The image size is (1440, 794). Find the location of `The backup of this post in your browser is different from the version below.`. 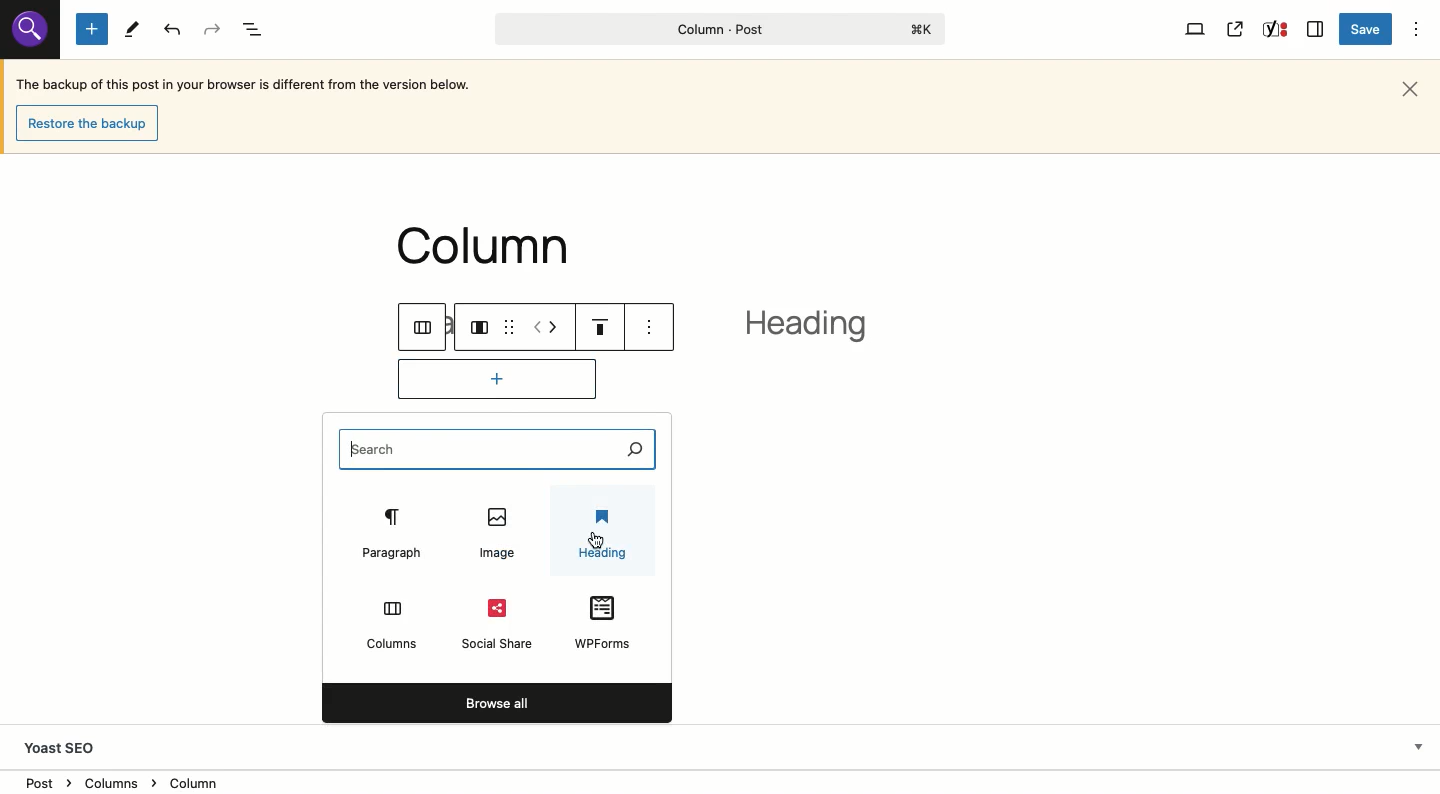

The backup of this post in your browser is different from the version below. is located at coordinates (245, 87).